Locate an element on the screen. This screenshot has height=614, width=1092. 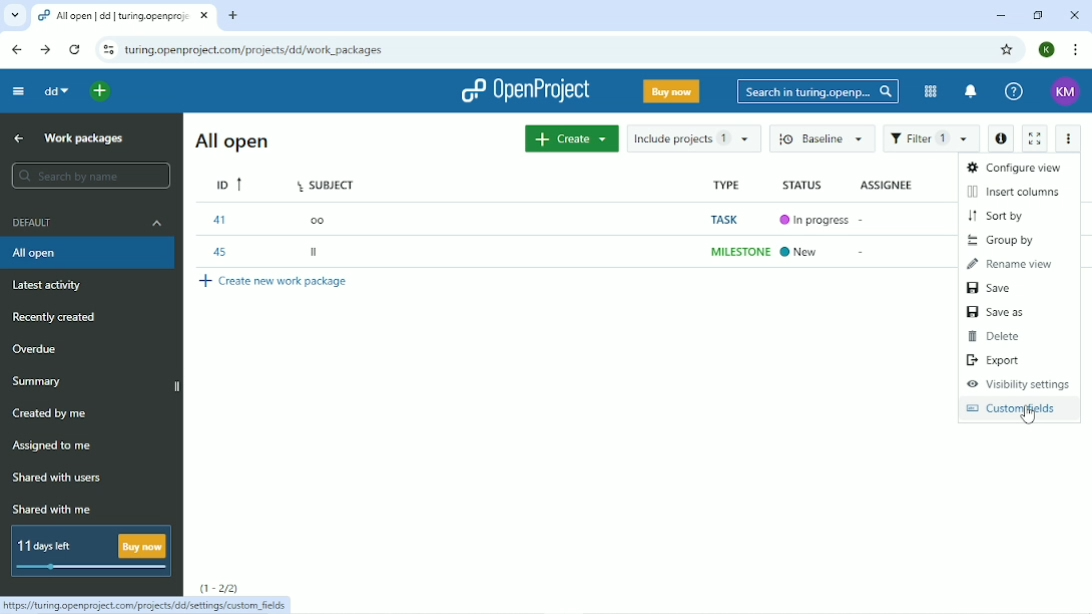
- is located at coordinates (868, 256).